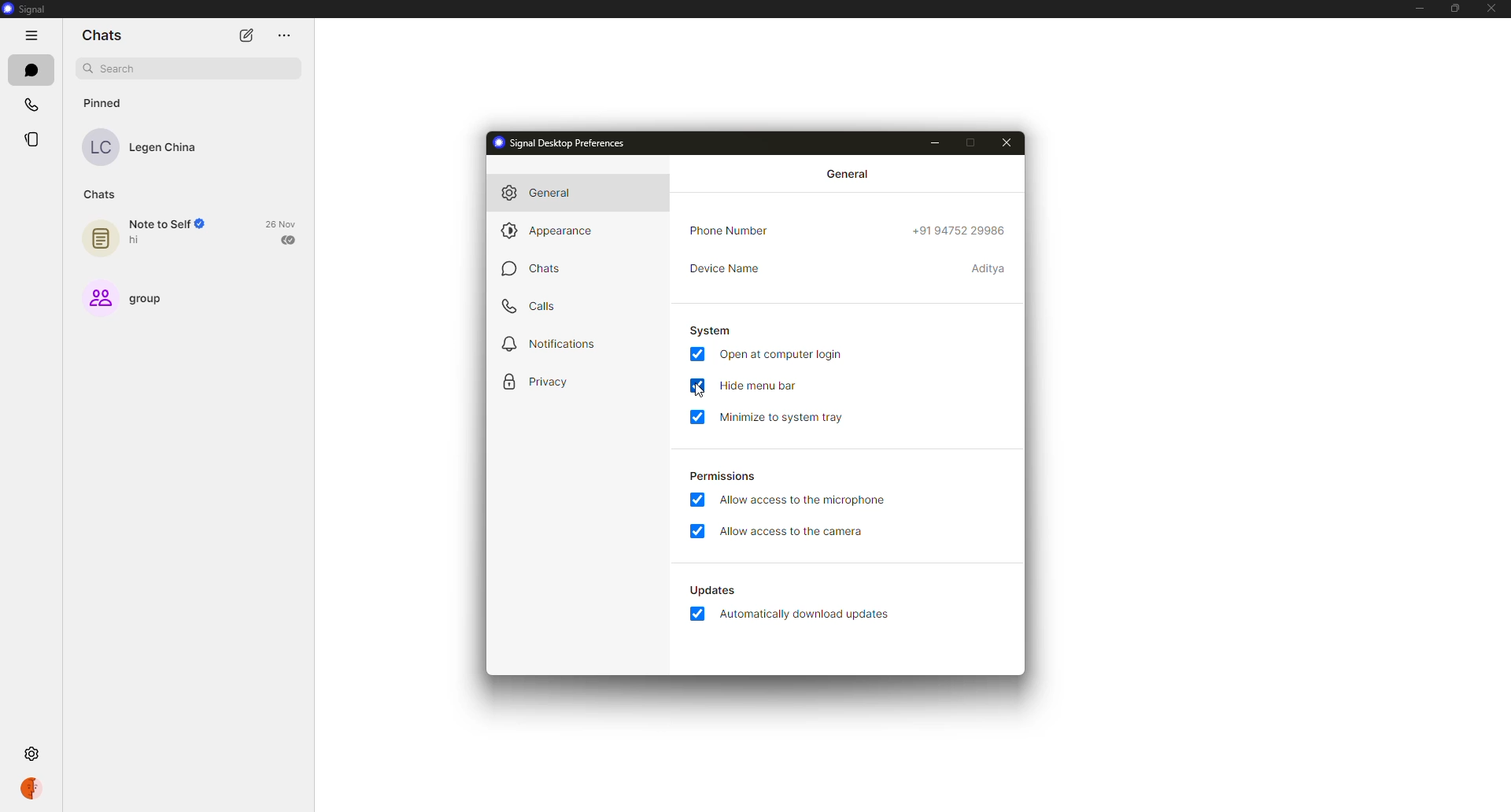 This screenshot has height=812, width=1511. Describe the element at coordinates (701, 392) in the screenshot. I see `cursor` at that location.